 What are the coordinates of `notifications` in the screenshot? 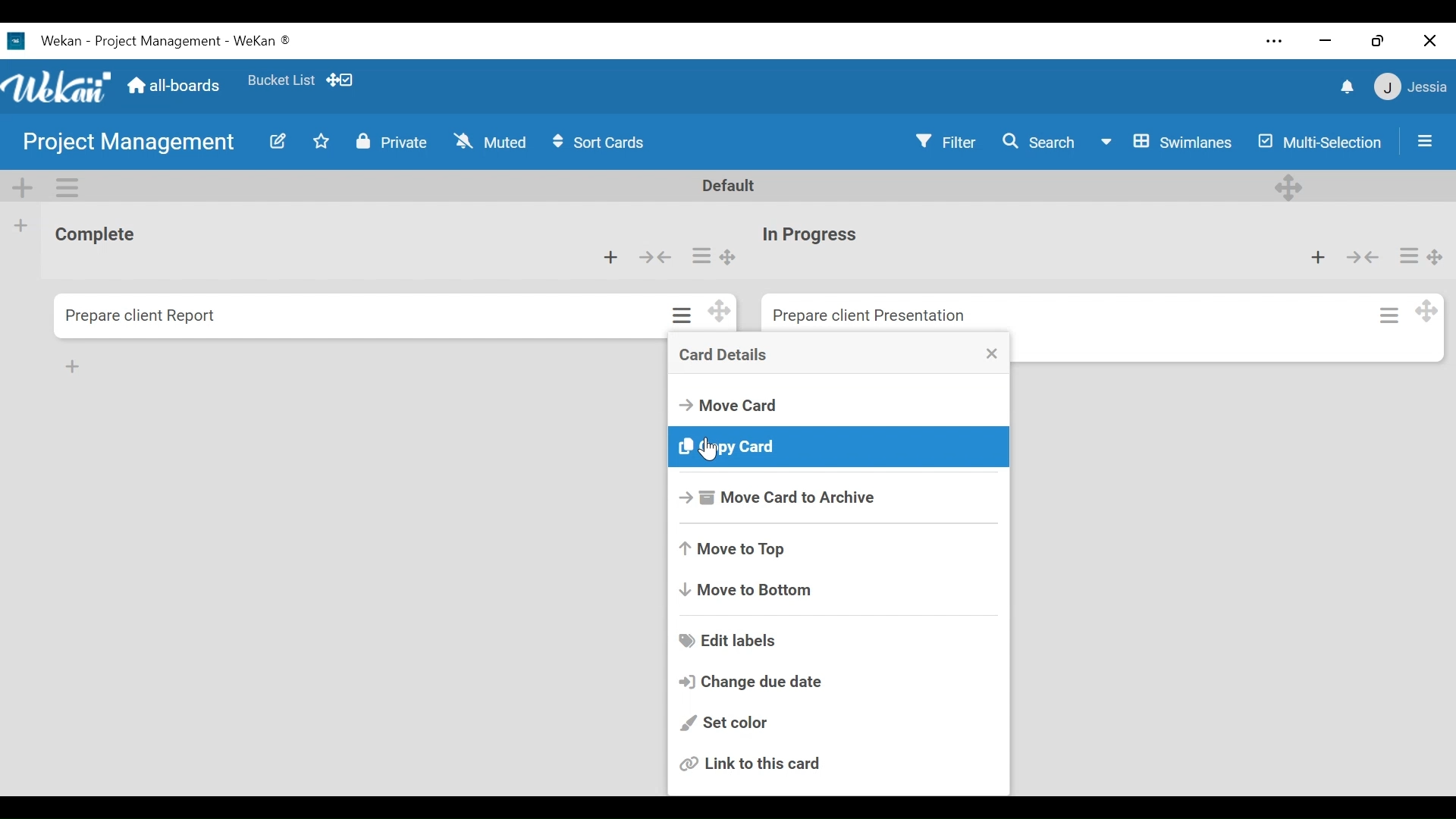 It's located at (1346, 86).